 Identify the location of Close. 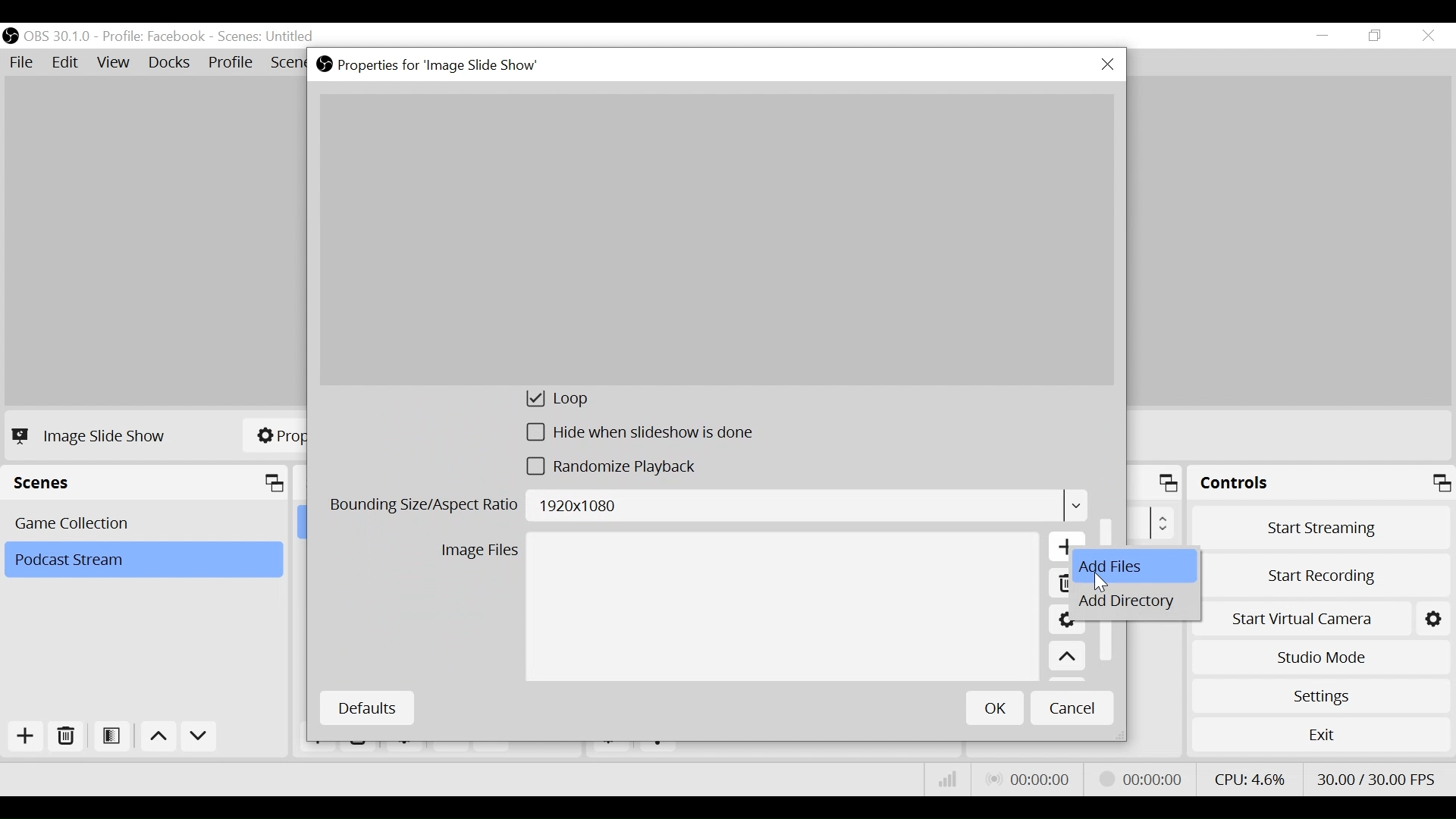
(1427, 36).